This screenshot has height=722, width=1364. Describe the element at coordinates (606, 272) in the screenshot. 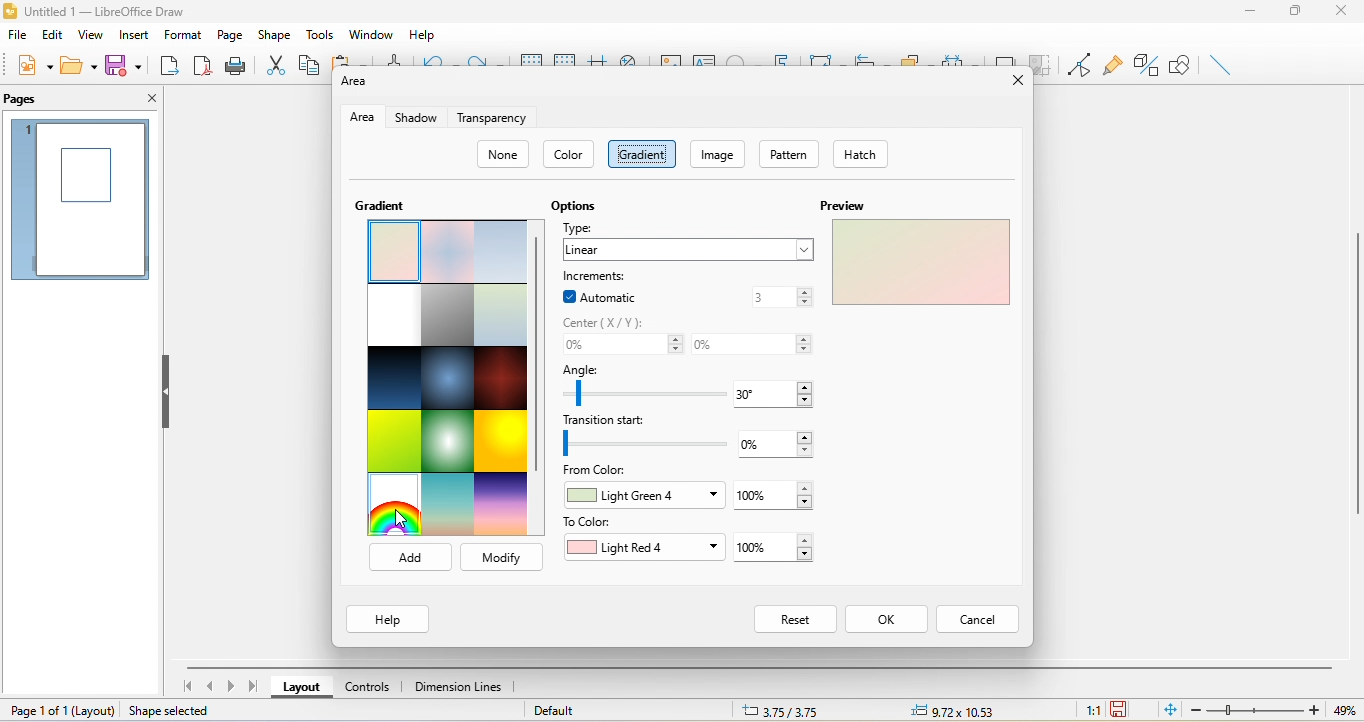

I see `increments` at that location.